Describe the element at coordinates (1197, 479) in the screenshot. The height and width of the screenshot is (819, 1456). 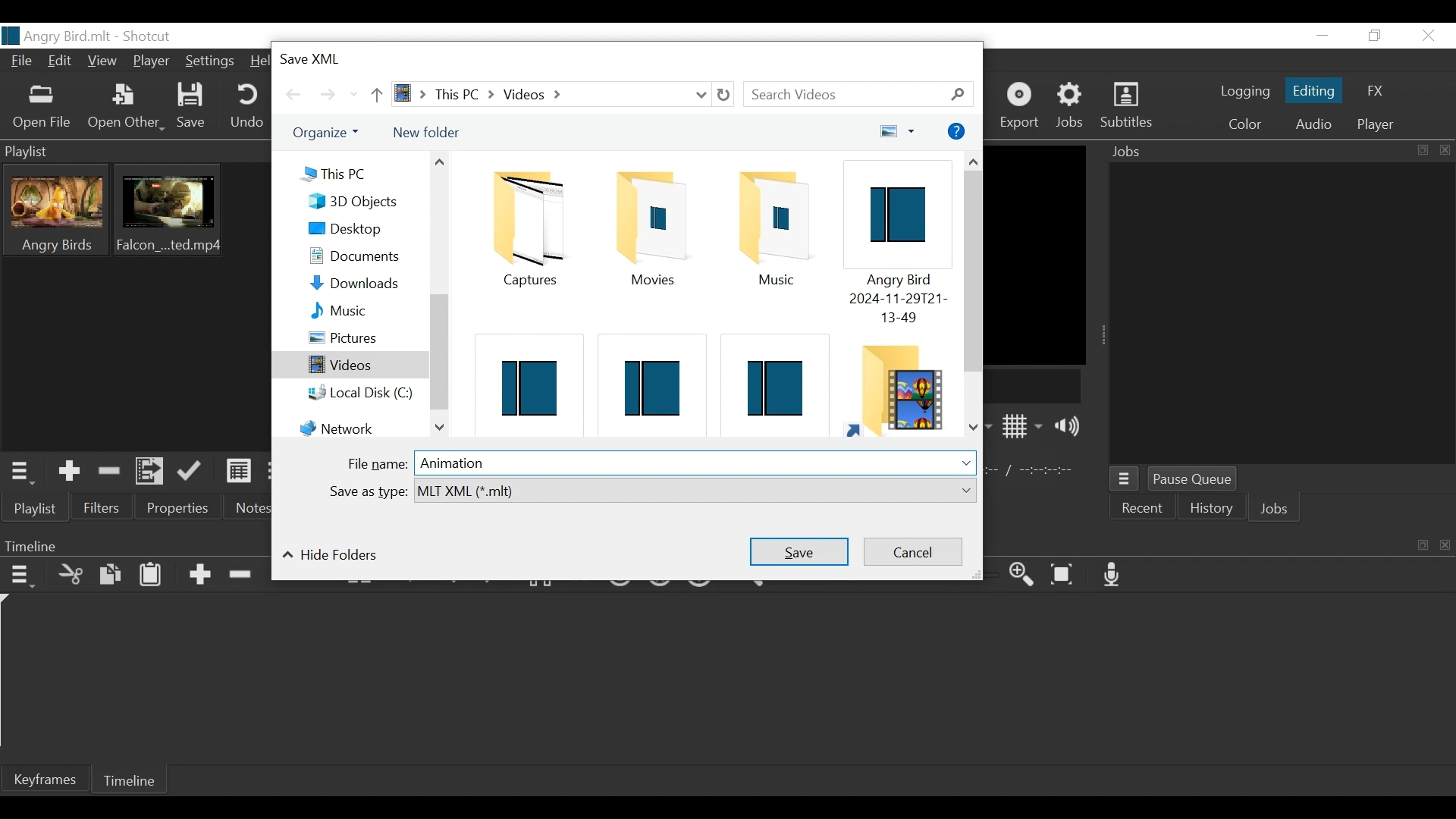
I see `Pause Queue` at that location.